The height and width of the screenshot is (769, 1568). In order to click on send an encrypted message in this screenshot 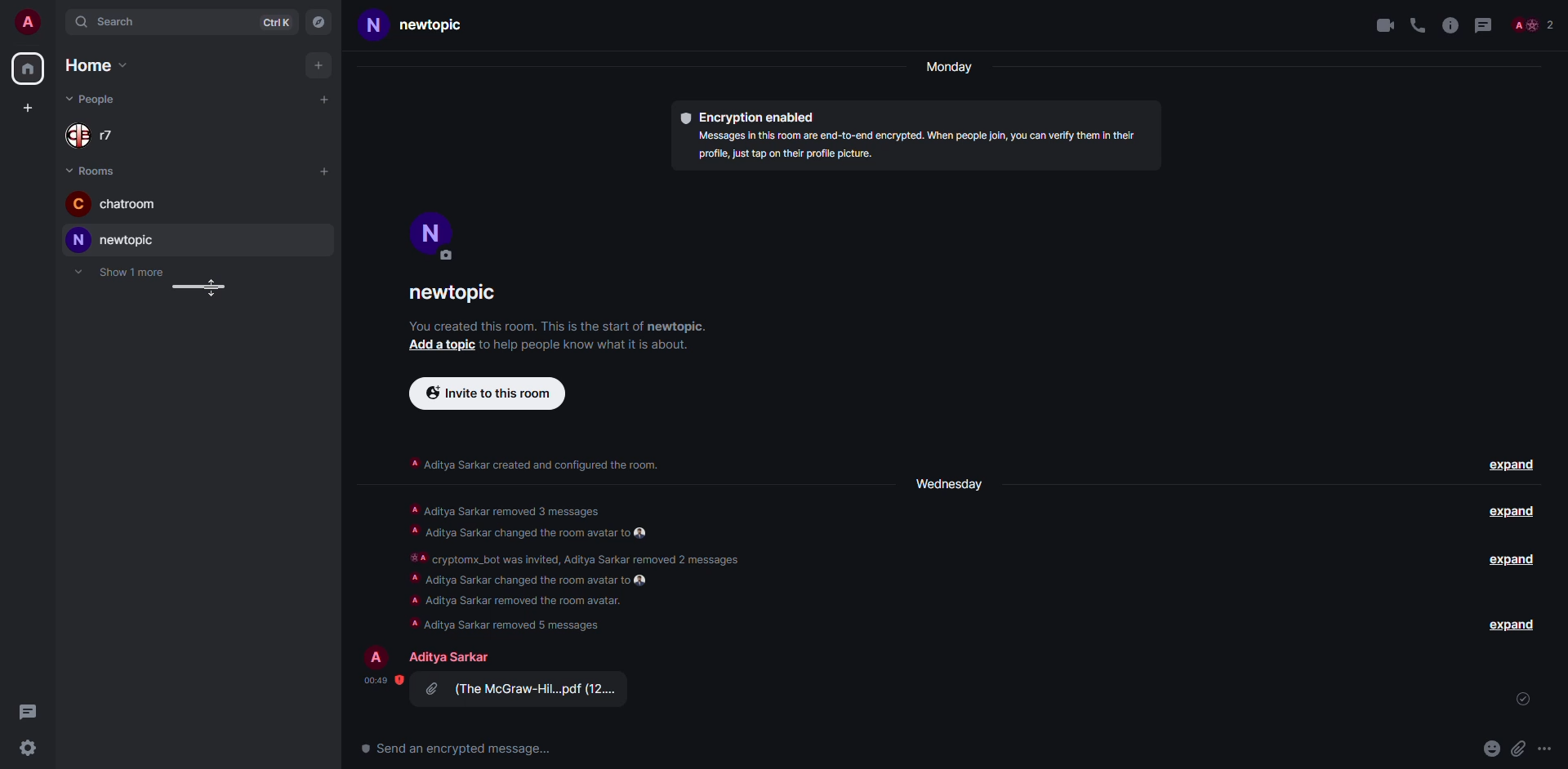, I will do `click(461, 750)`.